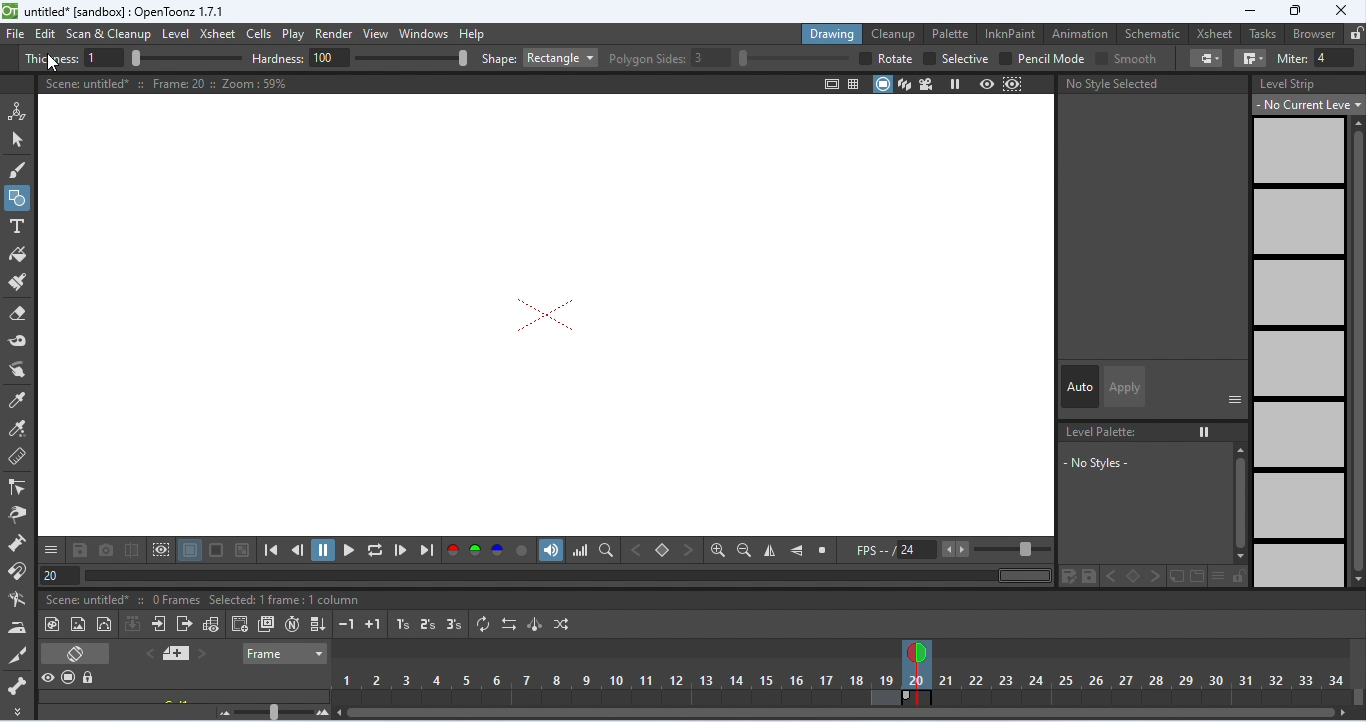 The image size is (1366, 722). Describe the element at coordinates (855, 85) in the screenshot. I see `field guide` at that location.